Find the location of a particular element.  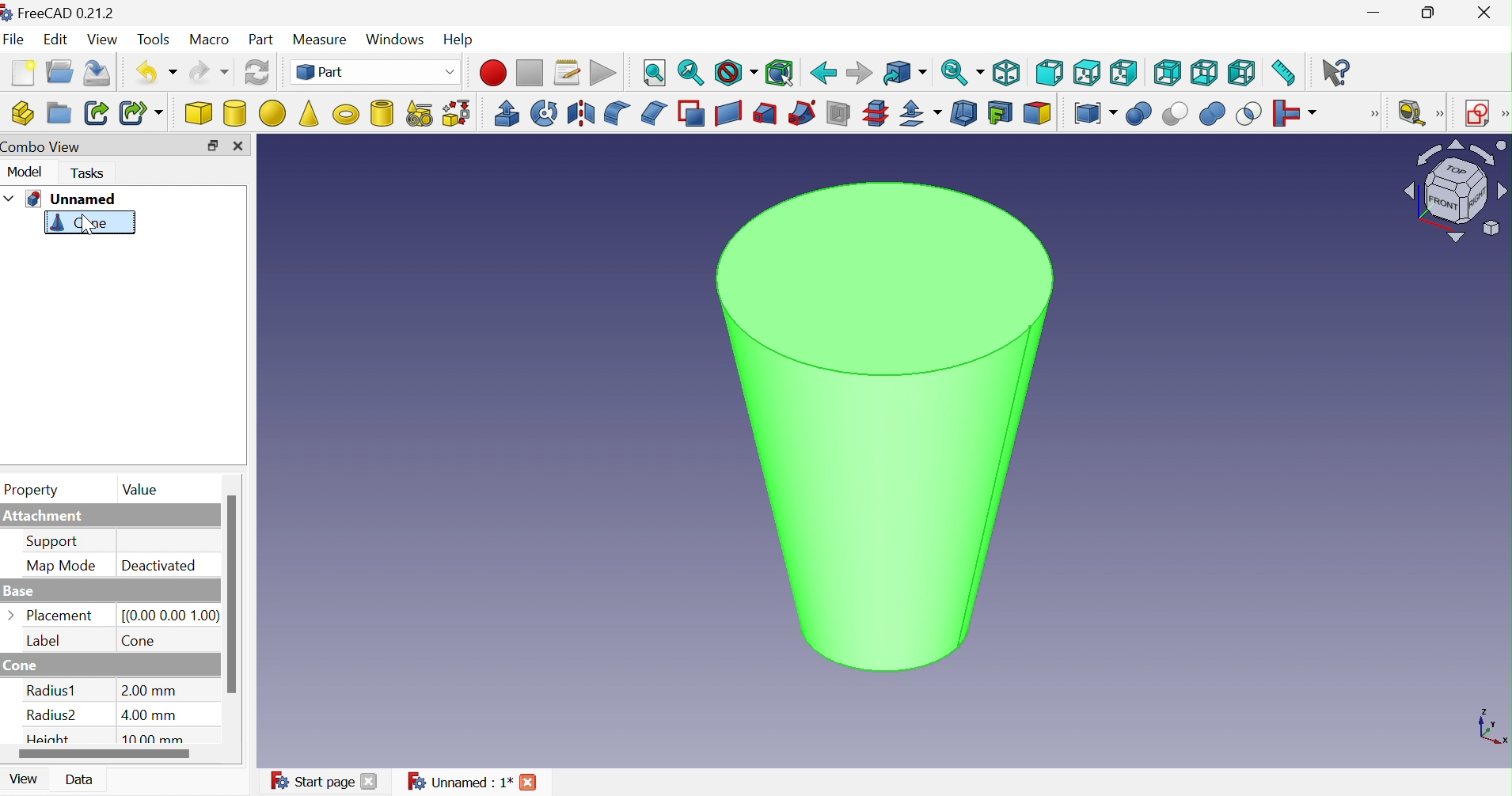

Create sketch is located at coordinates (1479, 112).